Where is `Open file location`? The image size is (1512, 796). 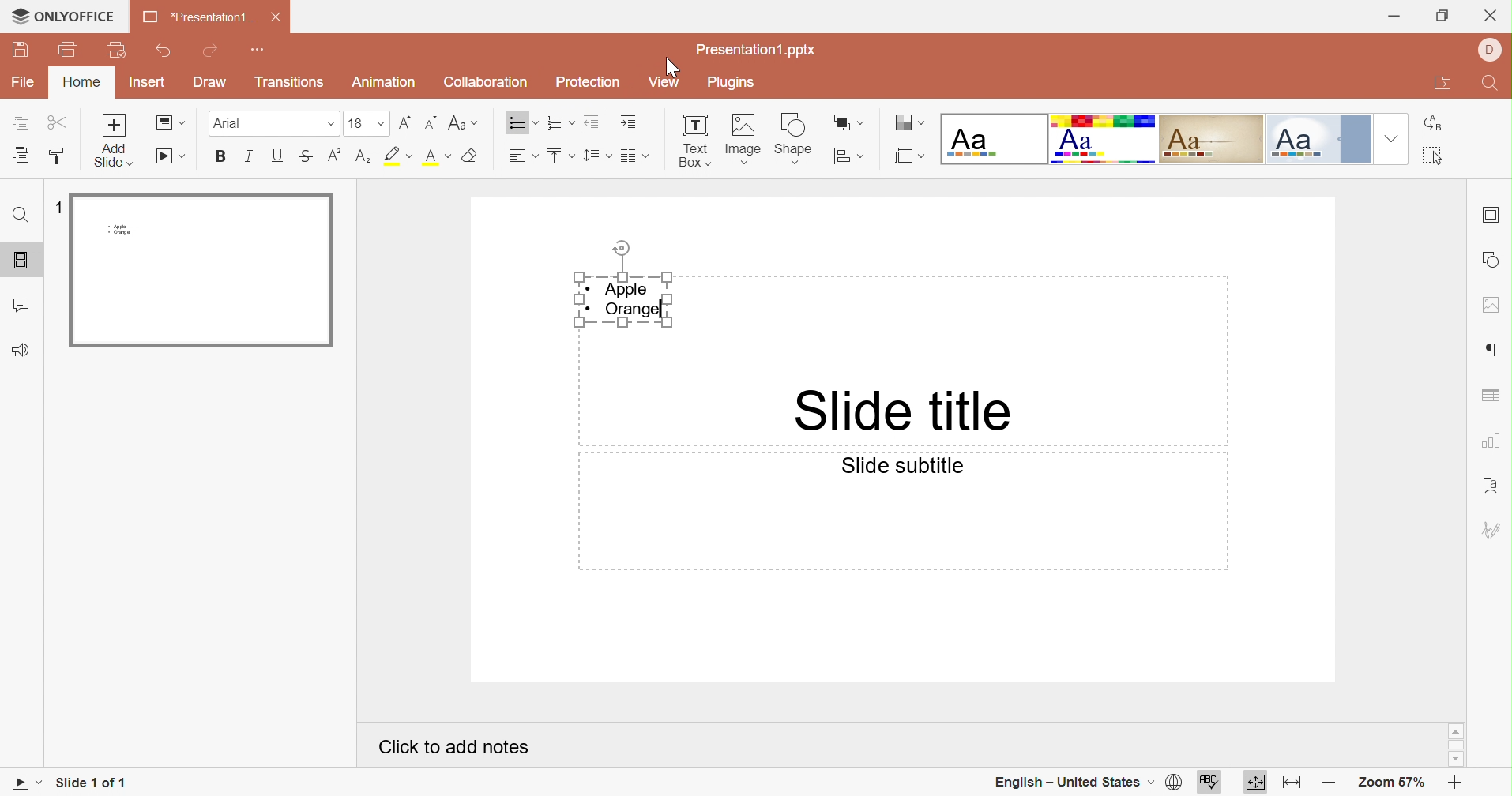 Open file location is located at coordinates (1446, 86).